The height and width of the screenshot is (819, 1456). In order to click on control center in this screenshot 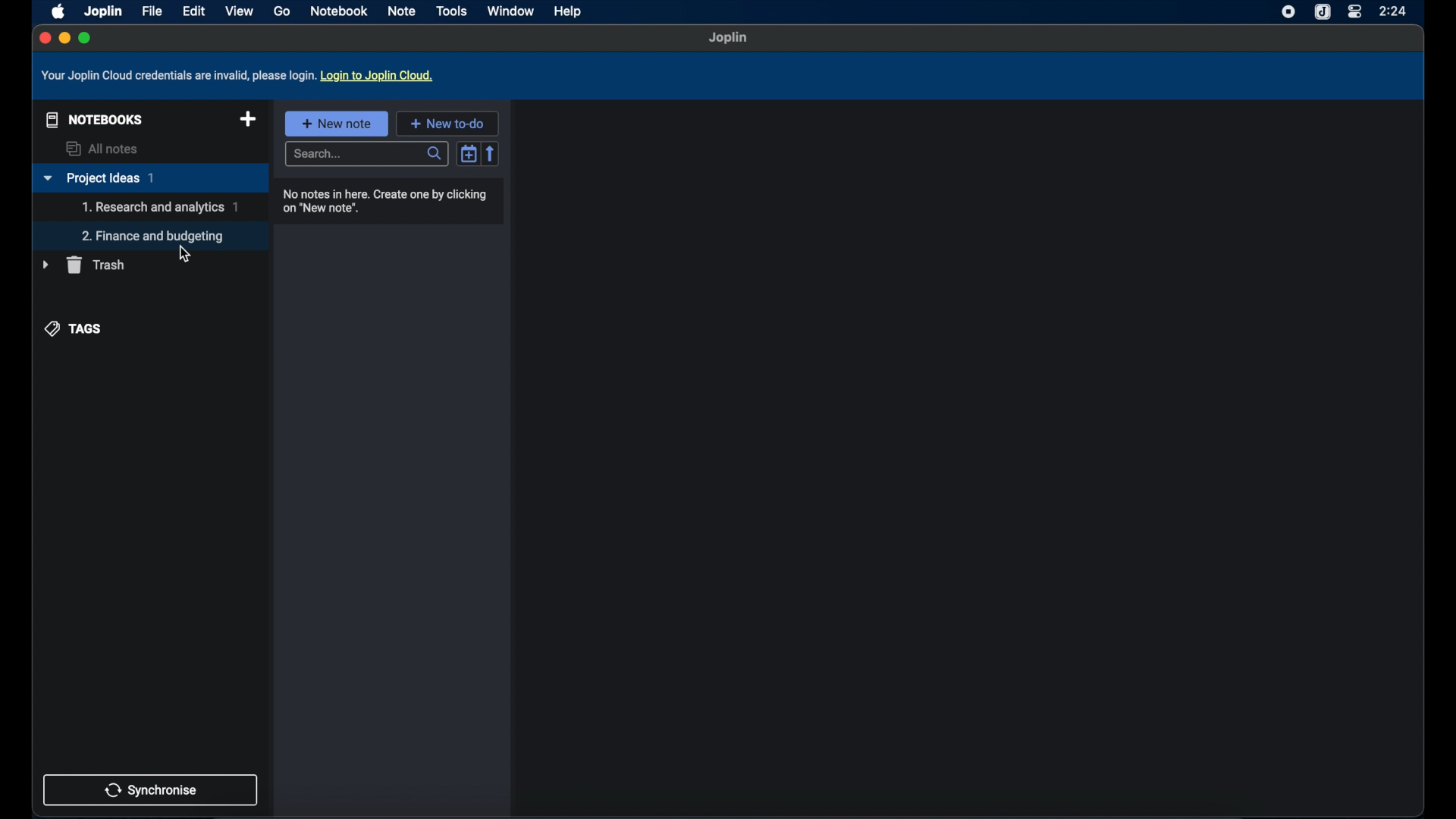, I will do `click(1354, 12)`.